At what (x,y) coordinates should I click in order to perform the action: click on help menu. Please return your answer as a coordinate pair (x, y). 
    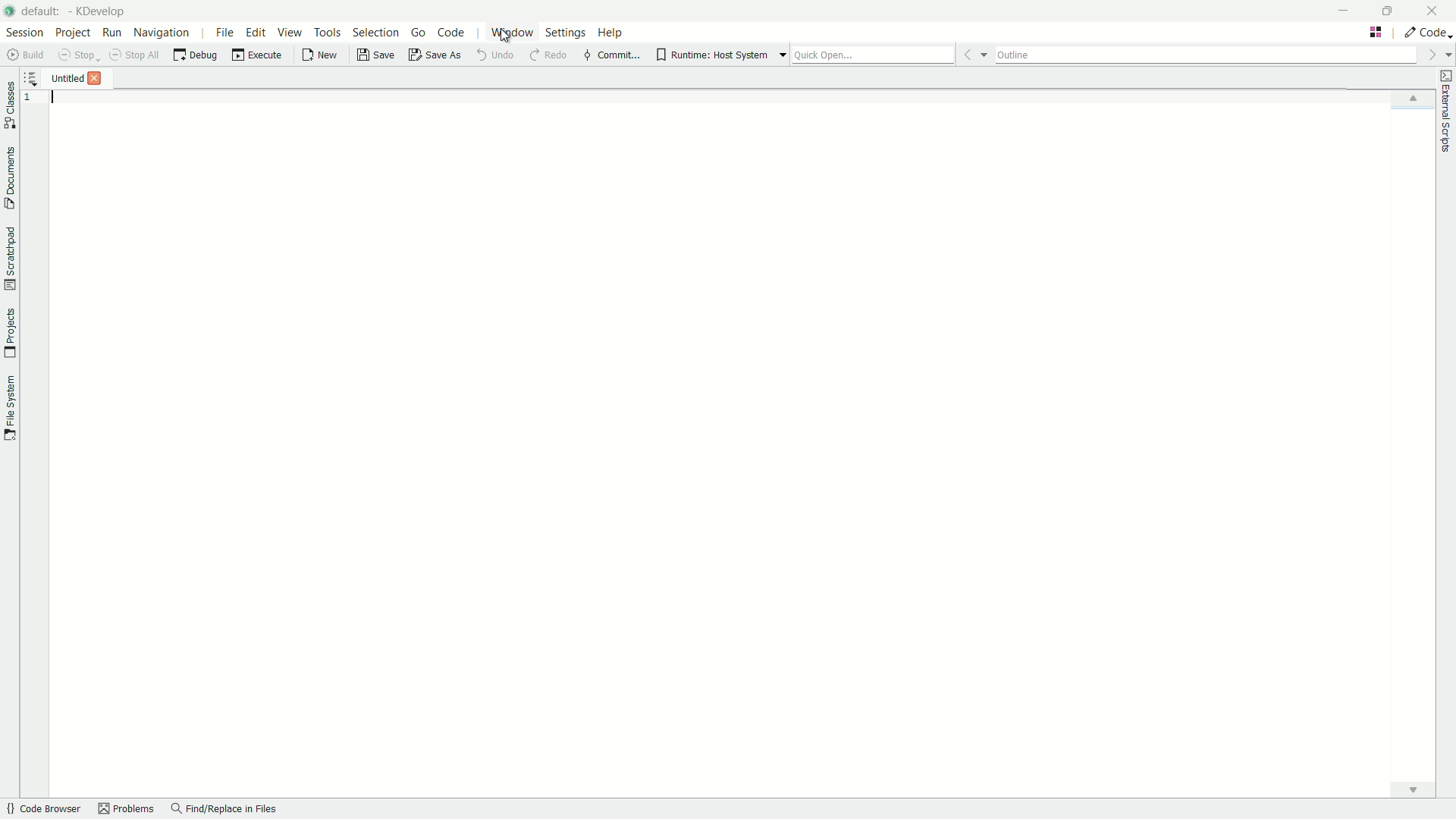
    Looking at the image, I should click on (610, 33).